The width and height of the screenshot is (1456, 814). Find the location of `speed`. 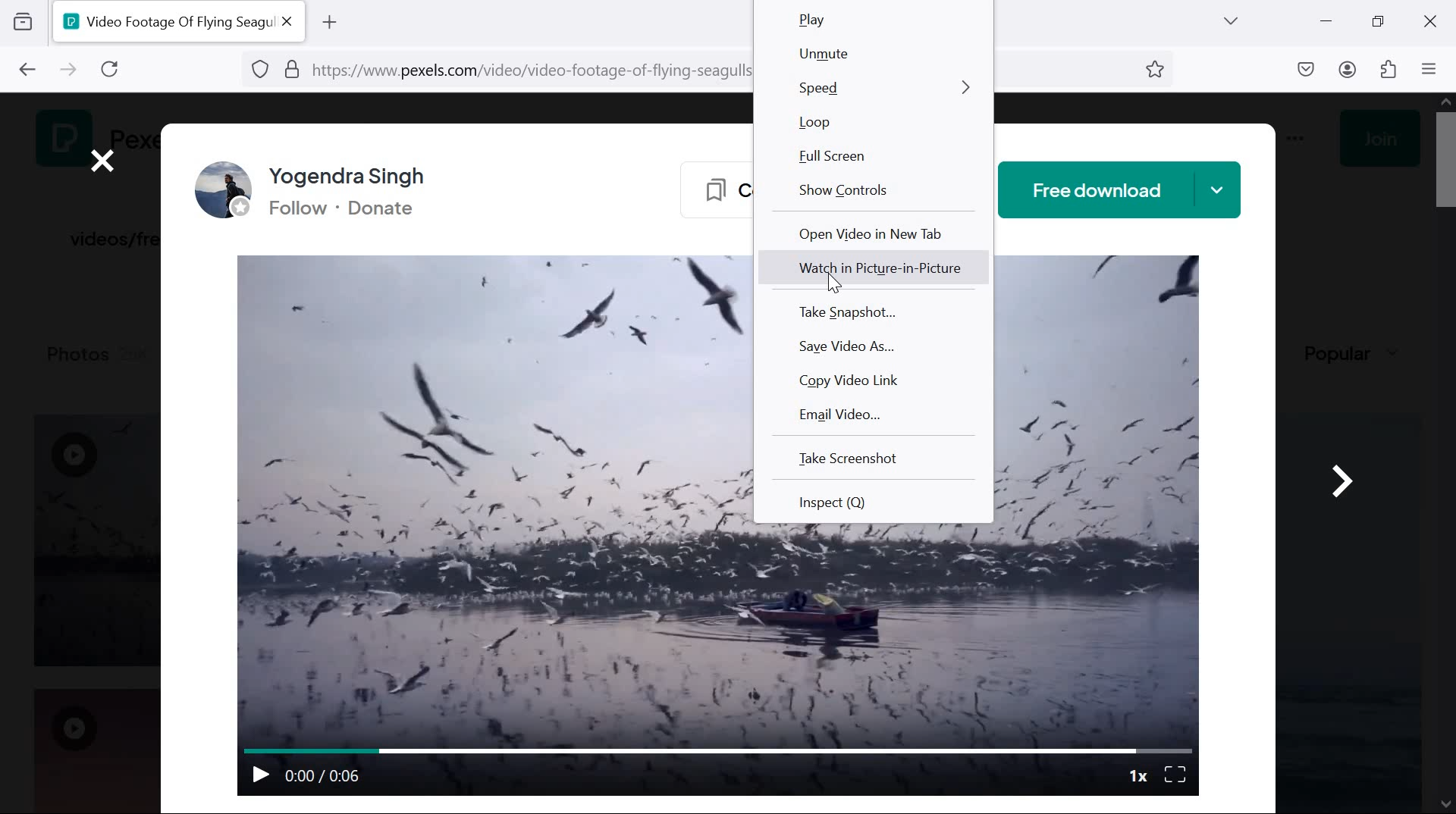

speed is located at coordinates (881, 89).